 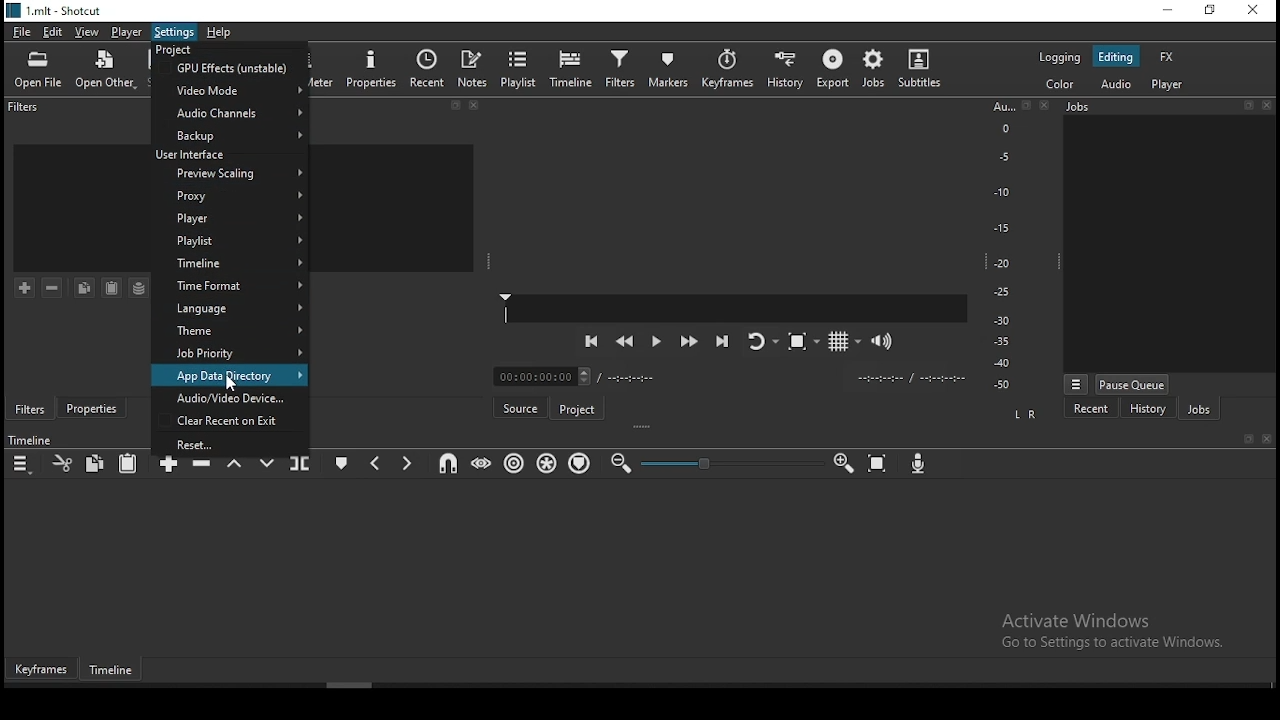 I want to click on split at playhead, so click(x=302, y=463).